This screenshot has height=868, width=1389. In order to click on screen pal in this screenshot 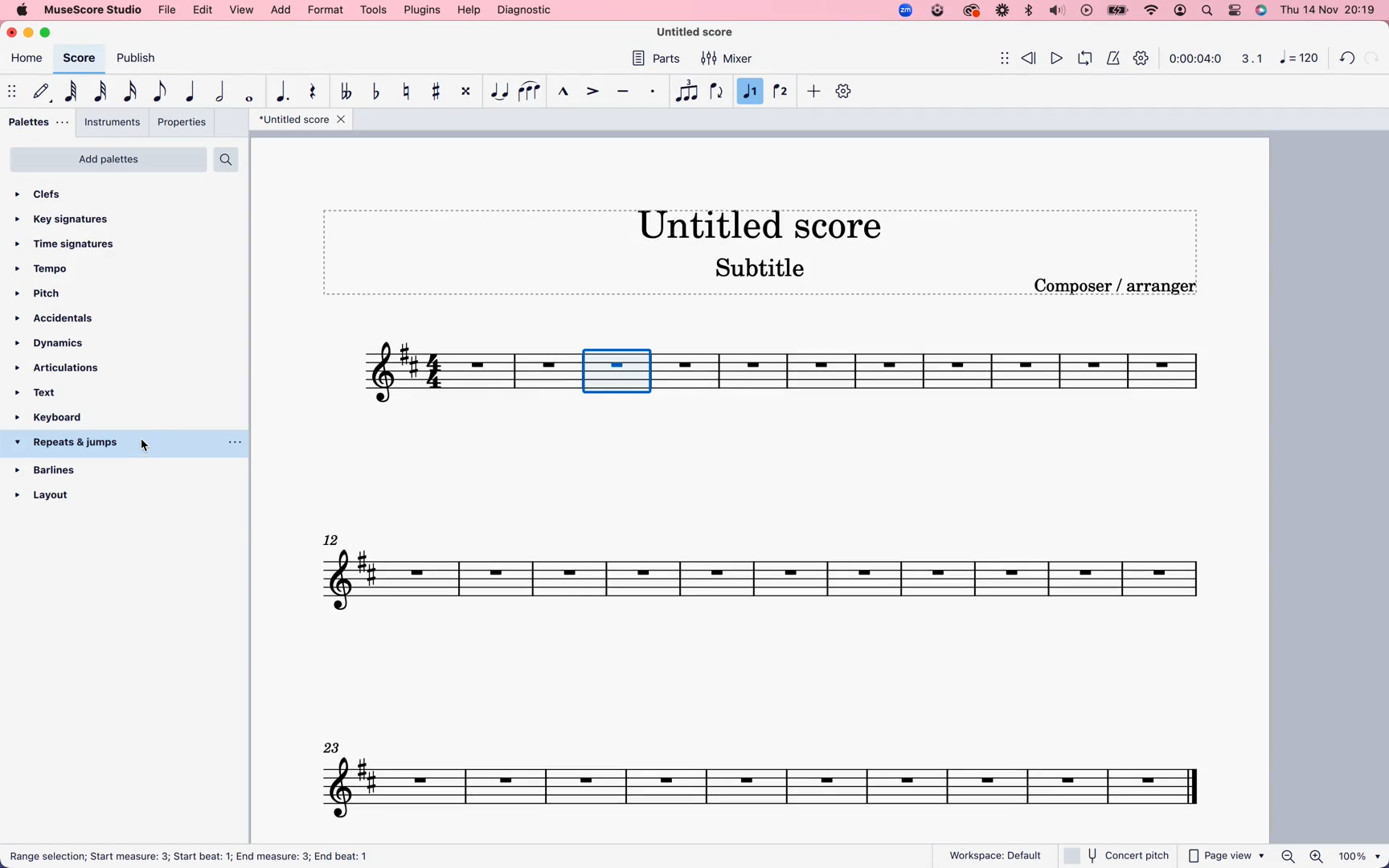, I will do `click(936, 12)`.